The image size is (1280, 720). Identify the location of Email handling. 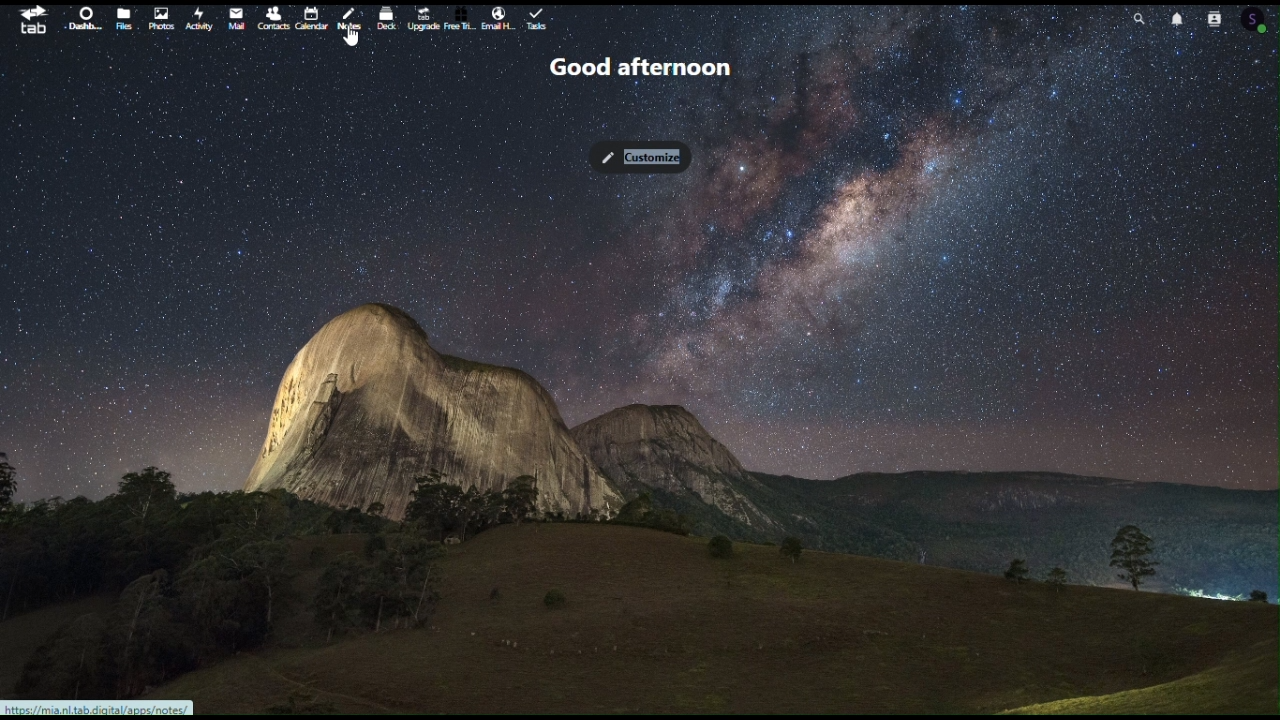
(498, 20).